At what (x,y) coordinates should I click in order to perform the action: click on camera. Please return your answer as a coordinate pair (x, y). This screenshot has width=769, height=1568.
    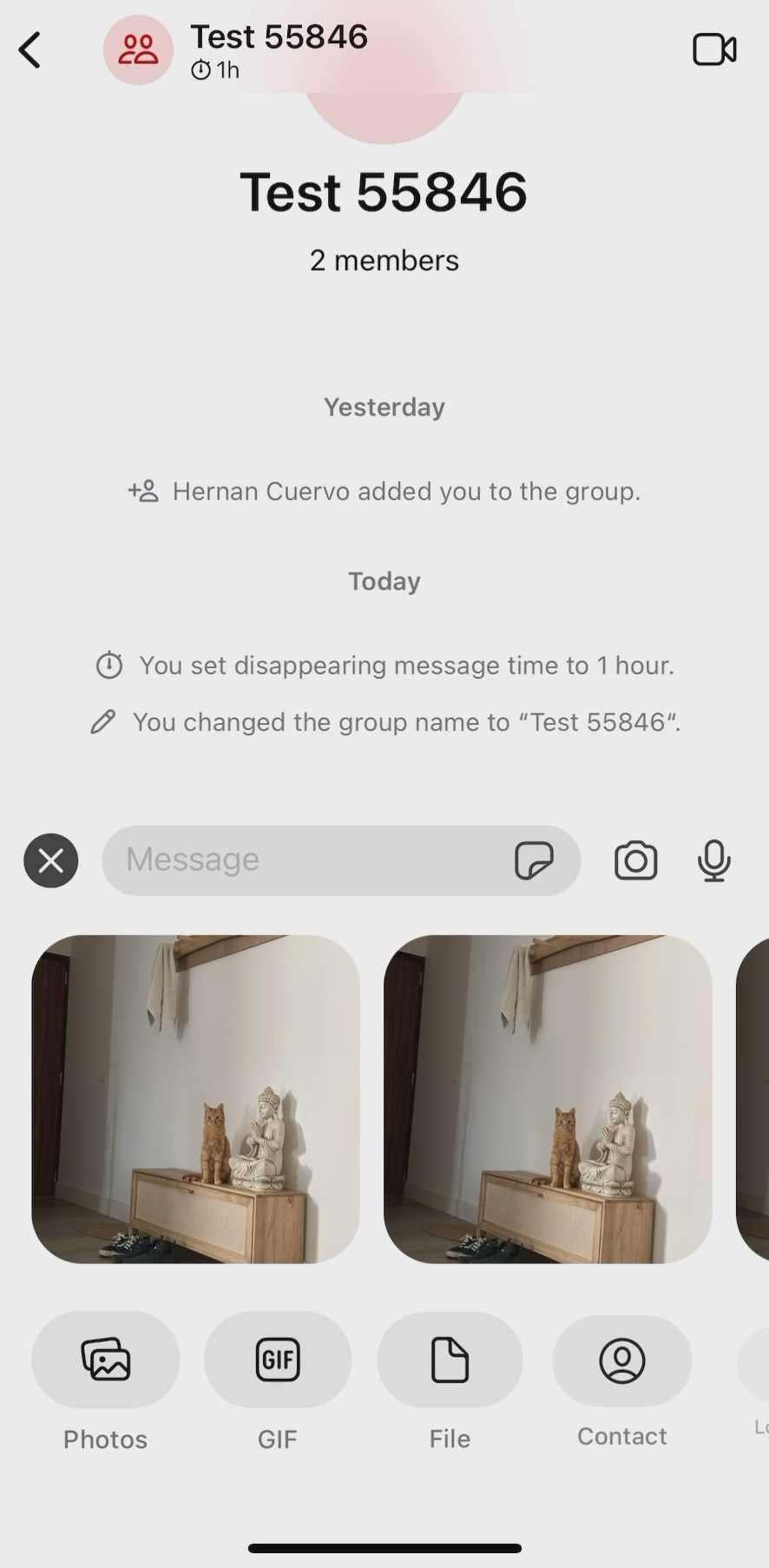
    Looking at the image, I should click on (634, 864).